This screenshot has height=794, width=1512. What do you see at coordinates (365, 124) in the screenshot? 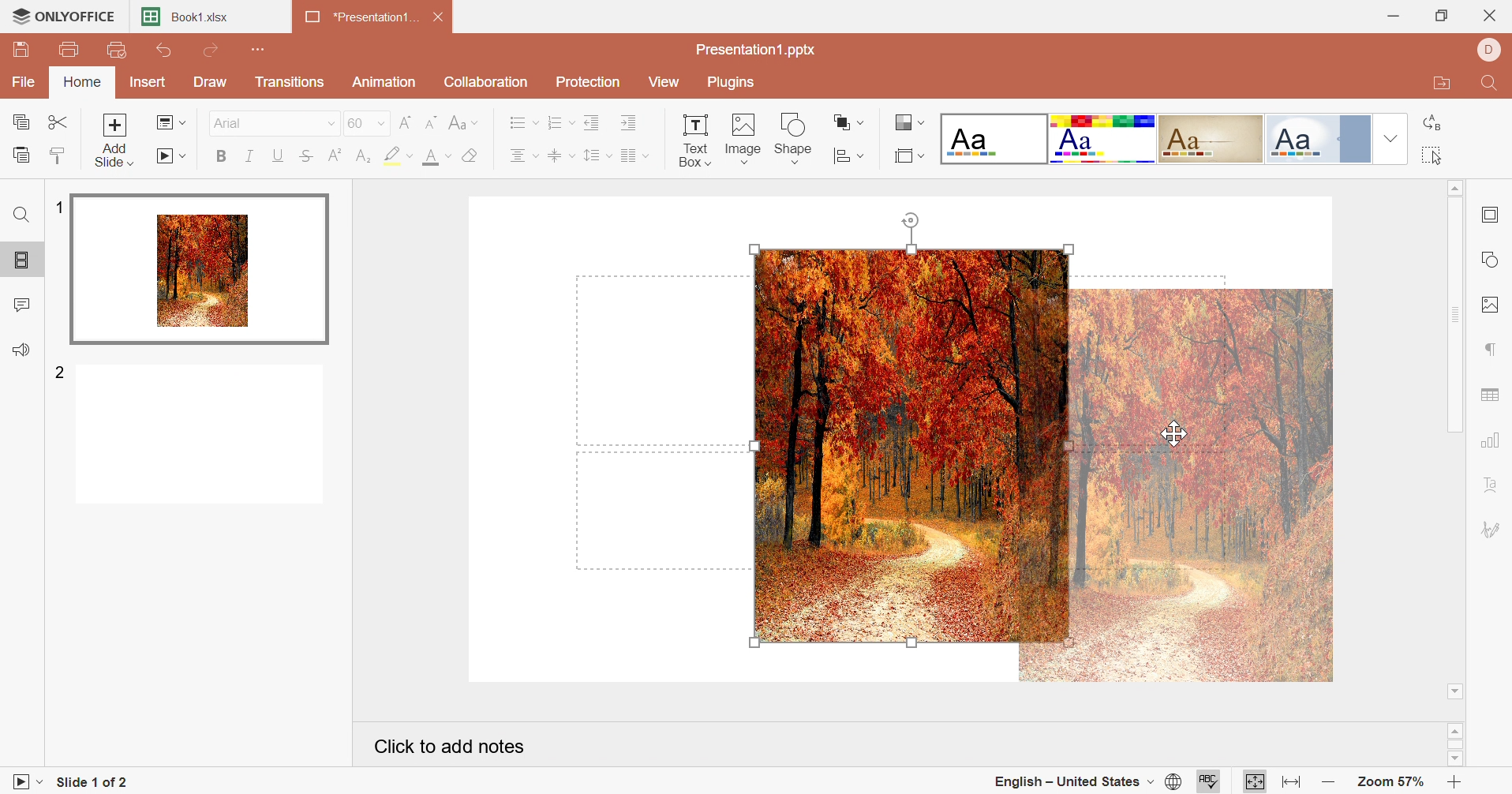
I see `60` at bounding box center [365, 124].